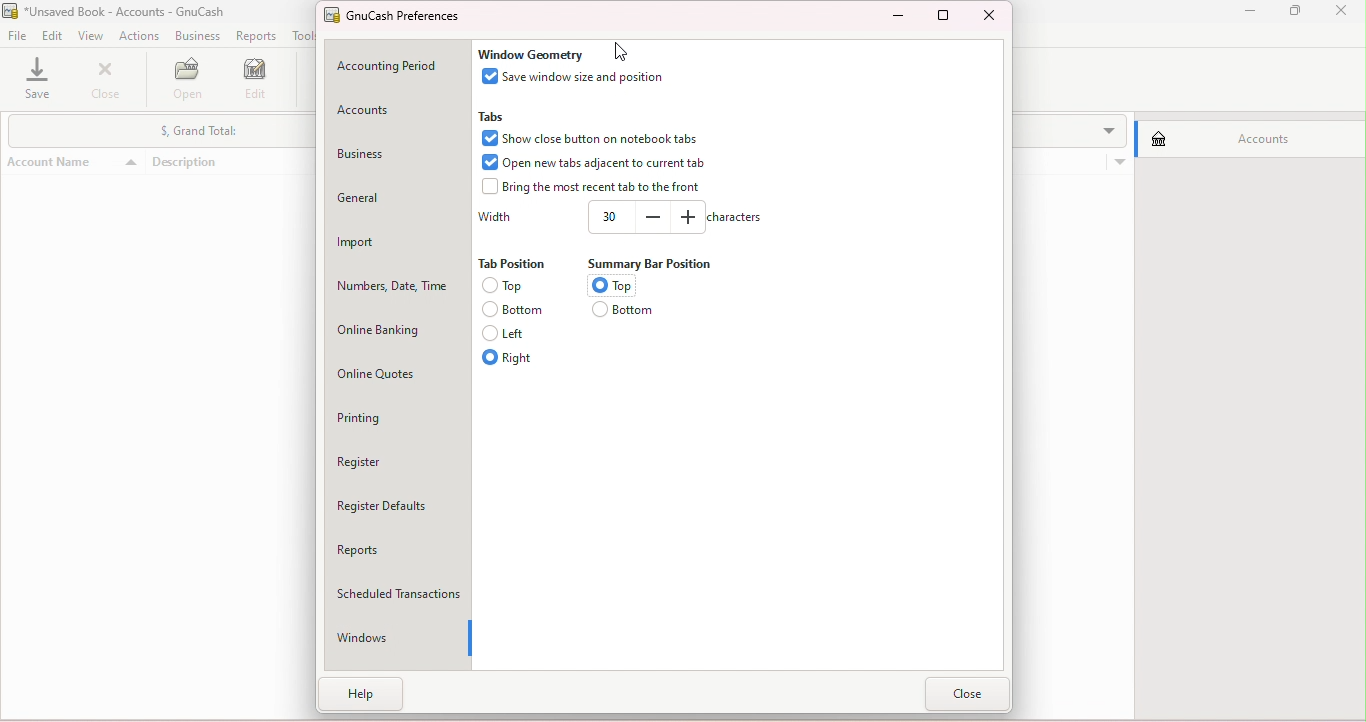 The width and height of the screenshot is (1366, 722). What do you see at coordinates (404, 17) in the screenshot?
I see `GnuCash preferences` at bounding box center [404, 17].